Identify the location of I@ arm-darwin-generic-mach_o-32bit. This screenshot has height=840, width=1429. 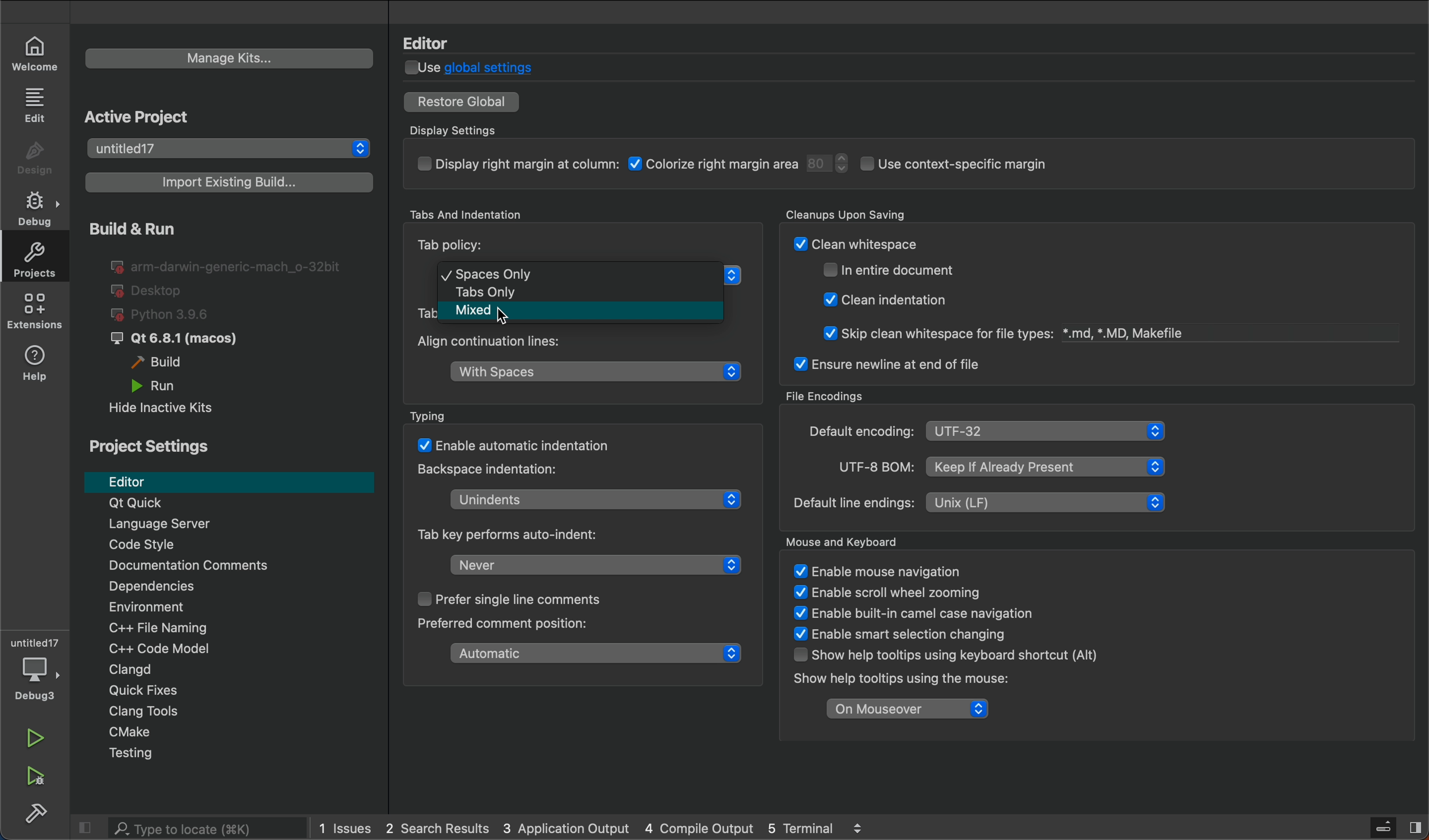
(229, 266).